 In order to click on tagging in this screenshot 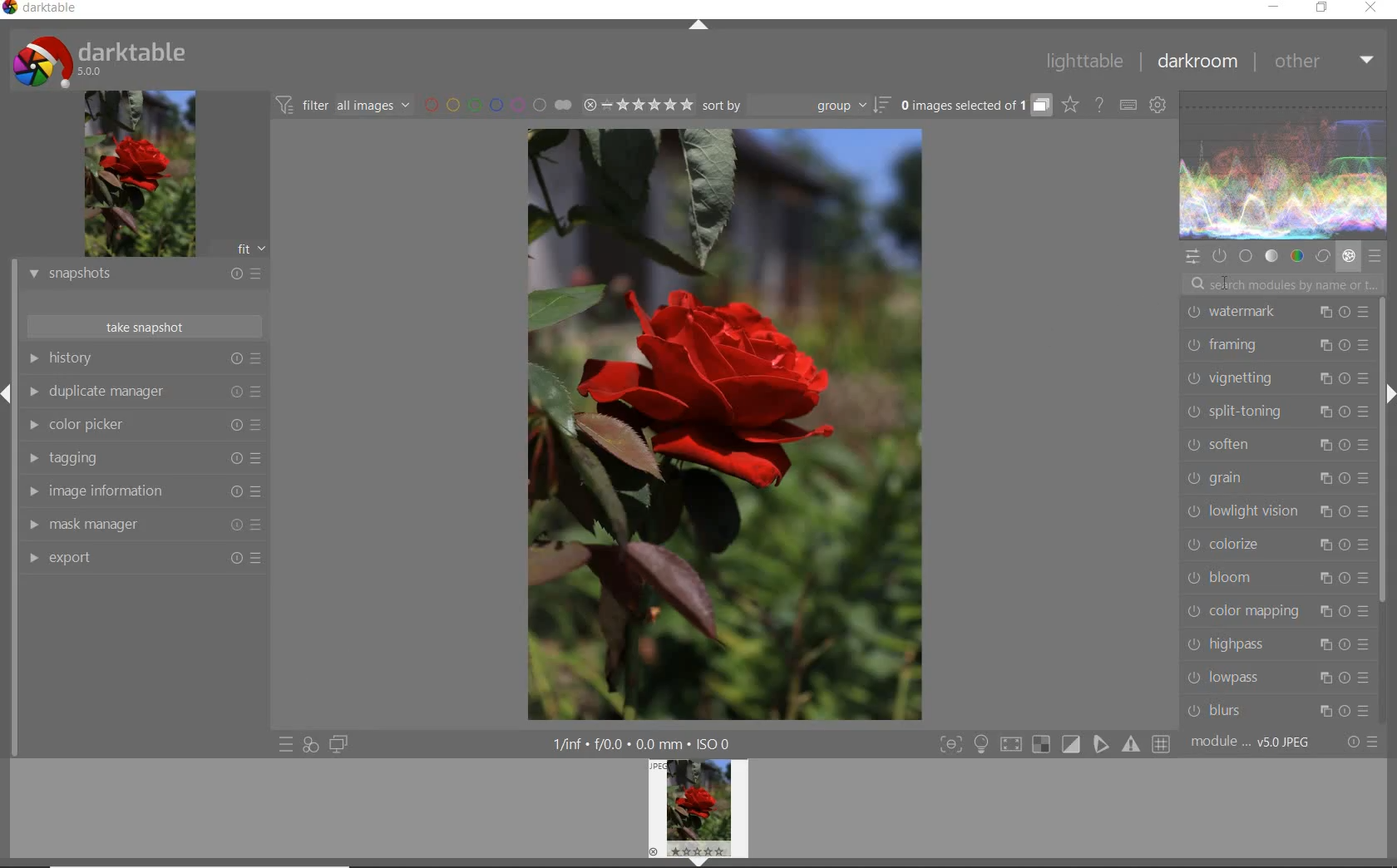, I will do `click(143, 457)`.